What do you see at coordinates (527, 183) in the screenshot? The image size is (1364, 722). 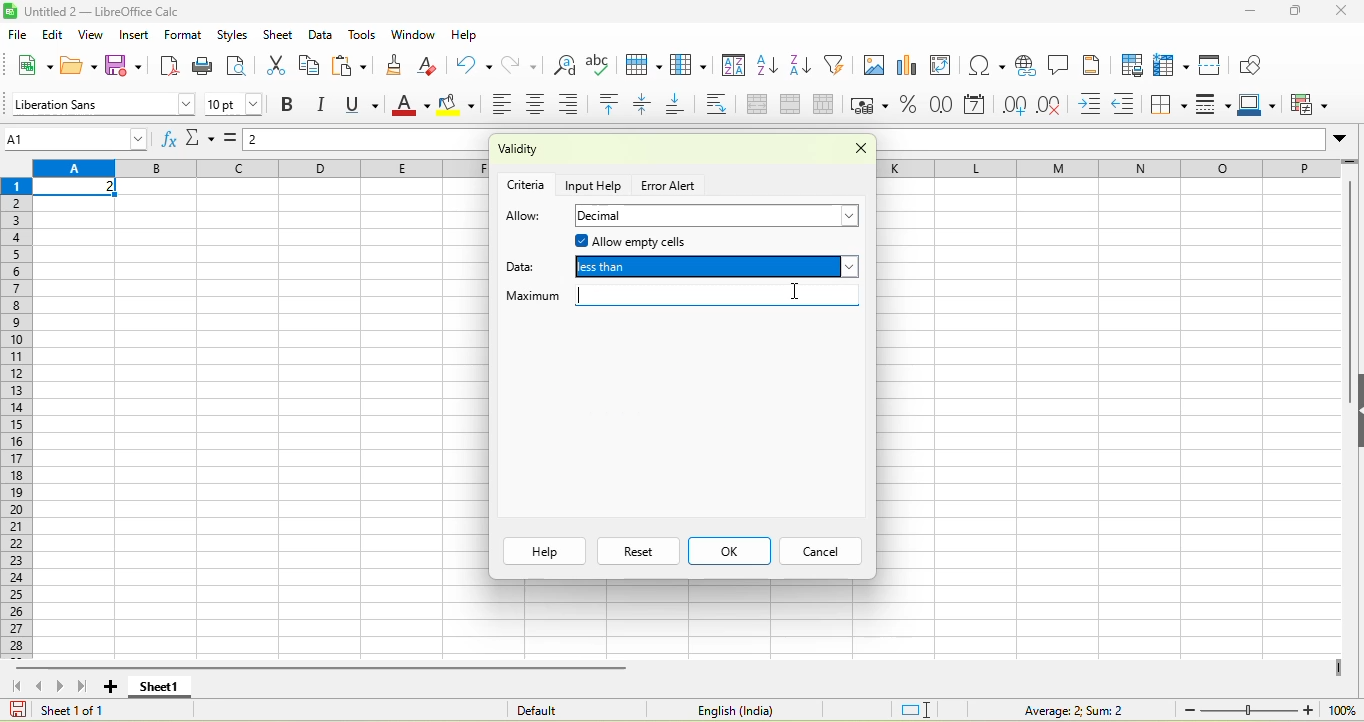 I see `criteria` at bounding box center [527, 183].